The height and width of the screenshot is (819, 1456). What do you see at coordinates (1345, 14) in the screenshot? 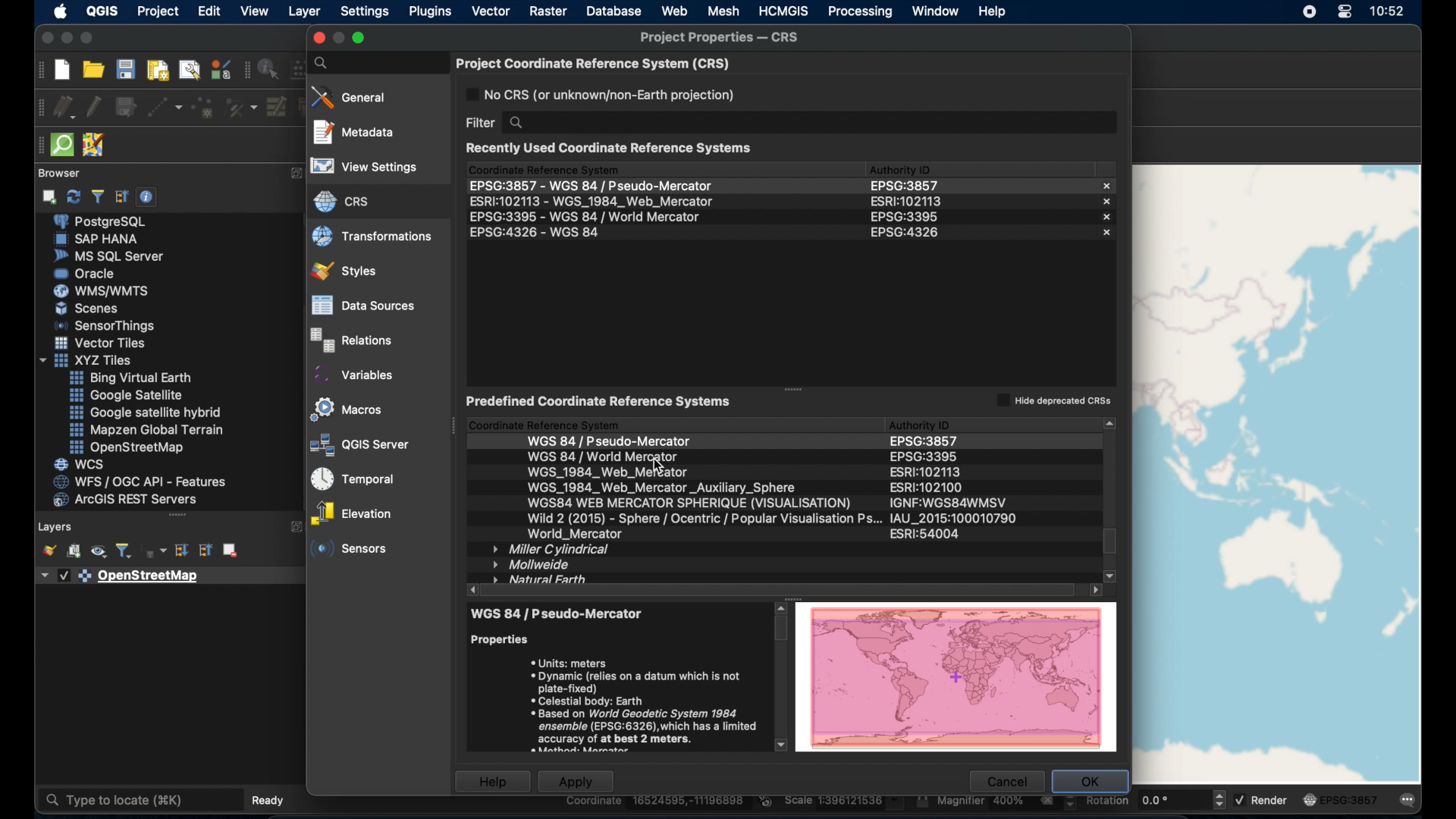
I see `control center` at bounding box center [1345, 14].